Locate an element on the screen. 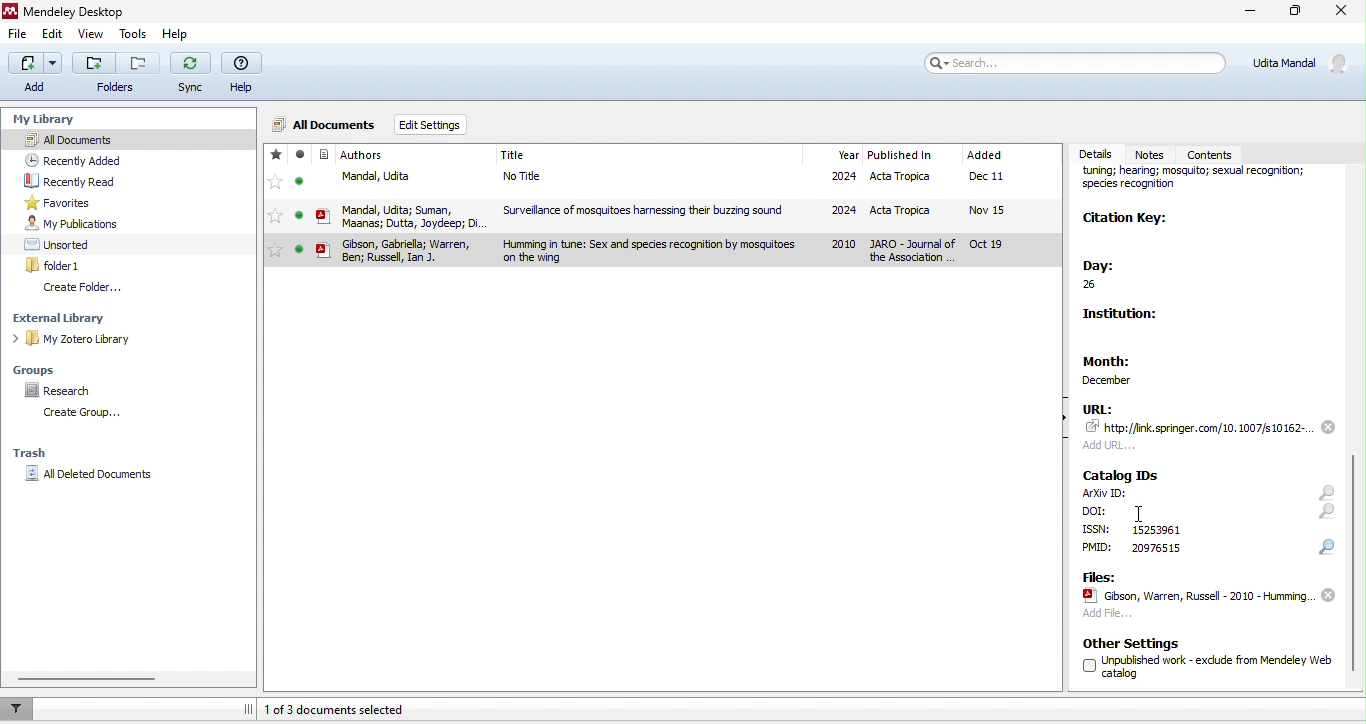 The height and width of the screenshot is (724, 1366). research is located at coordinates (63, 391).